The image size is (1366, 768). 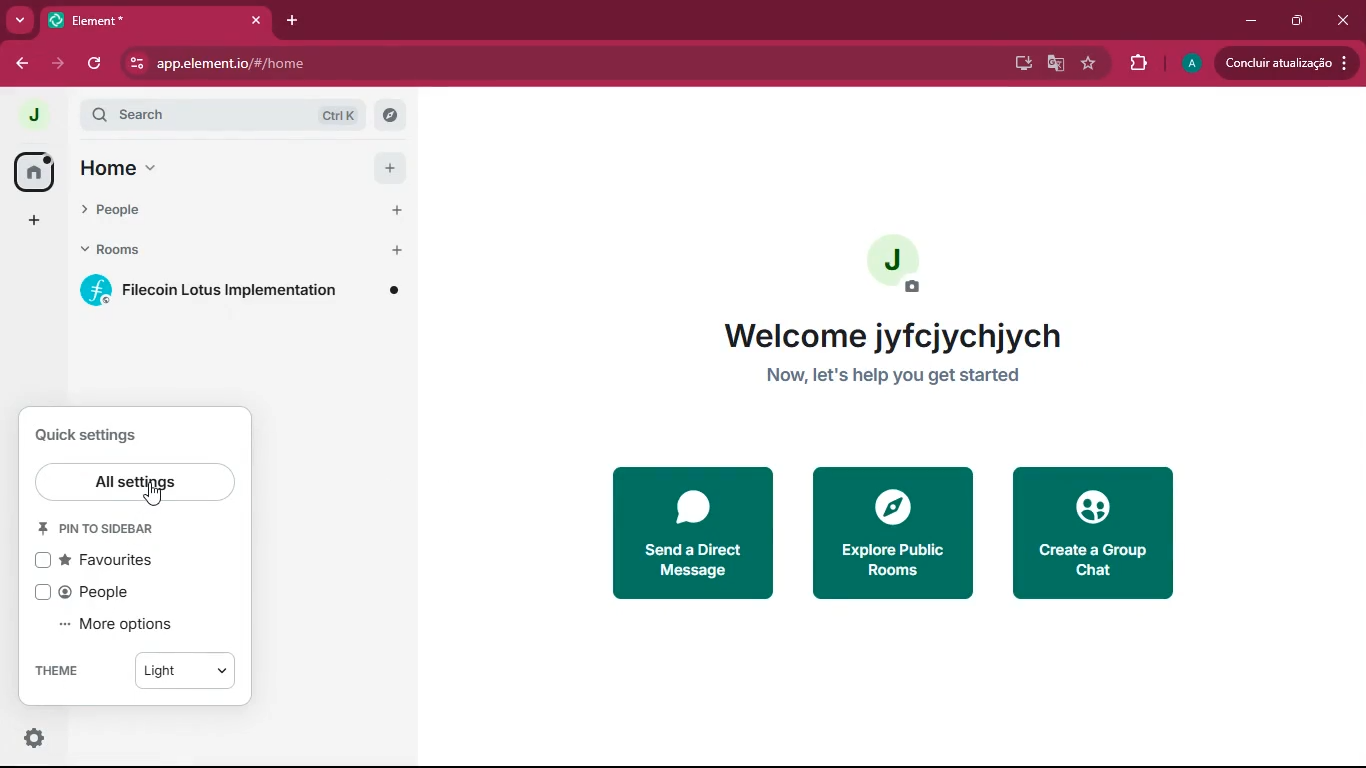 What do you see at coordinates (157, 495) in the screenshot?
I see `Cursor` at bounding box center [157, 495].